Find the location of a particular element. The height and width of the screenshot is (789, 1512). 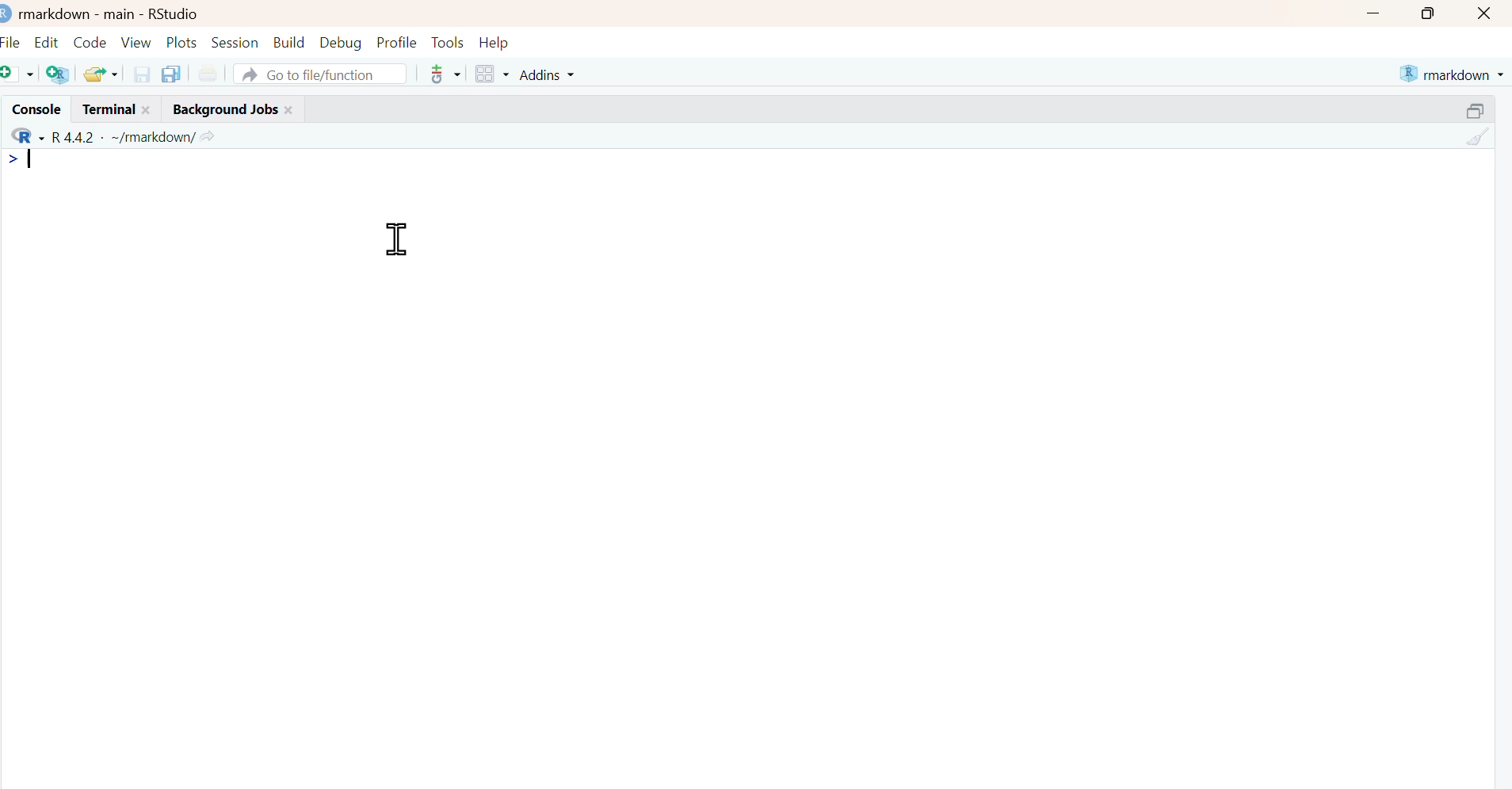

markdown is located at coordinates (1454, 72).